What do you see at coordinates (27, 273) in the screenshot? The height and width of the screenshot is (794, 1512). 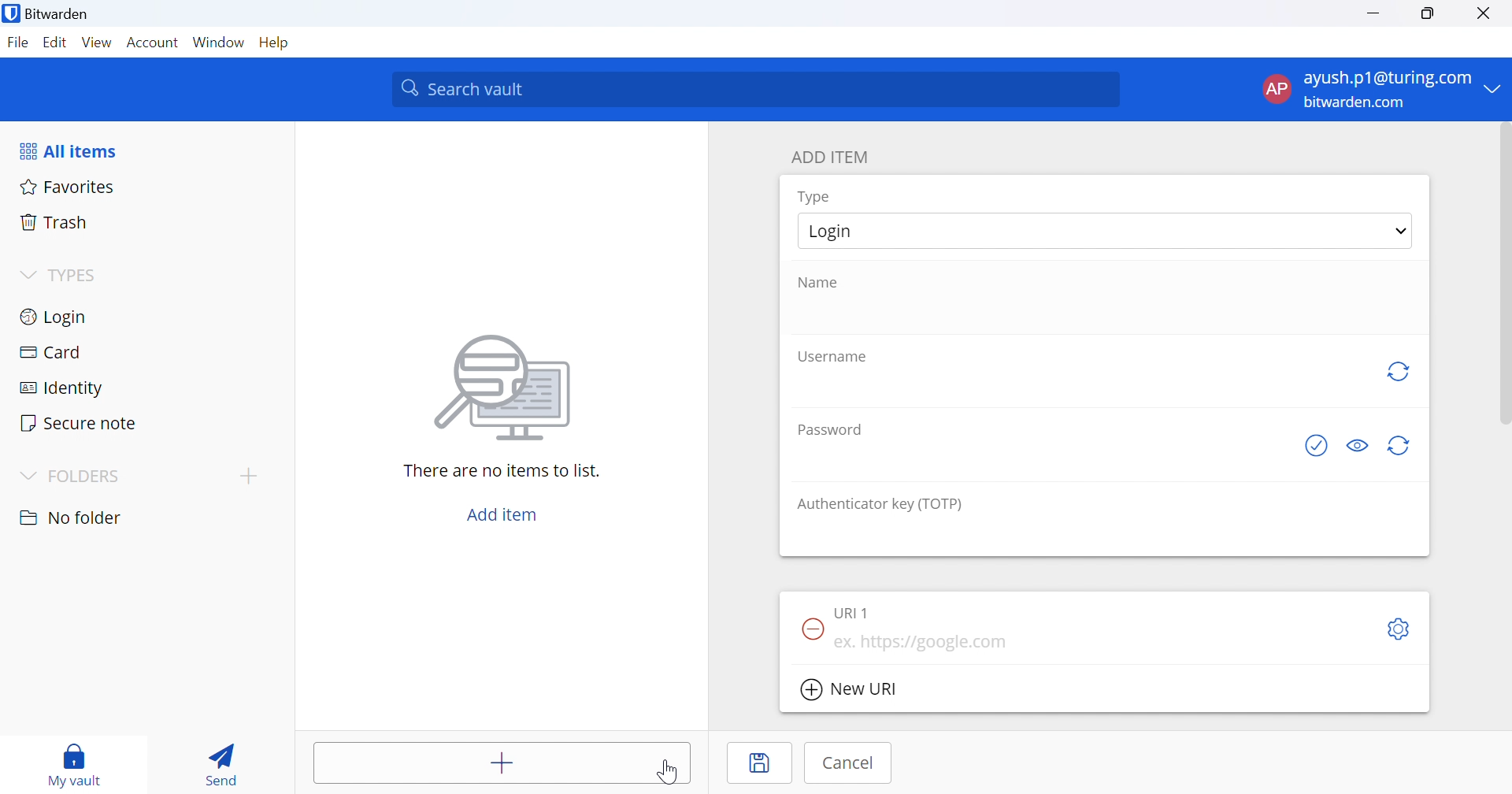 I see `Drop Down` at bounding box center [27, 273].